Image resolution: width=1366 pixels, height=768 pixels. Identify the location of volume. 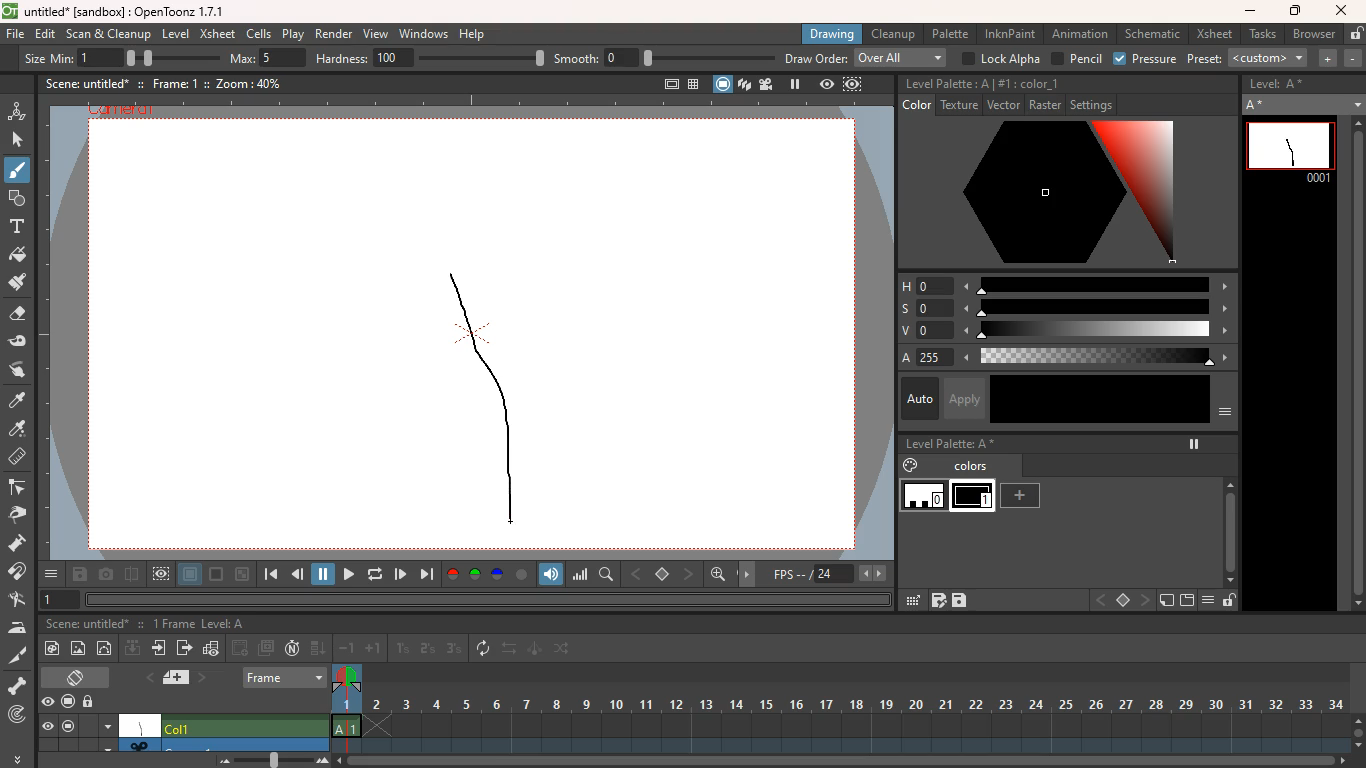
(553, 573).